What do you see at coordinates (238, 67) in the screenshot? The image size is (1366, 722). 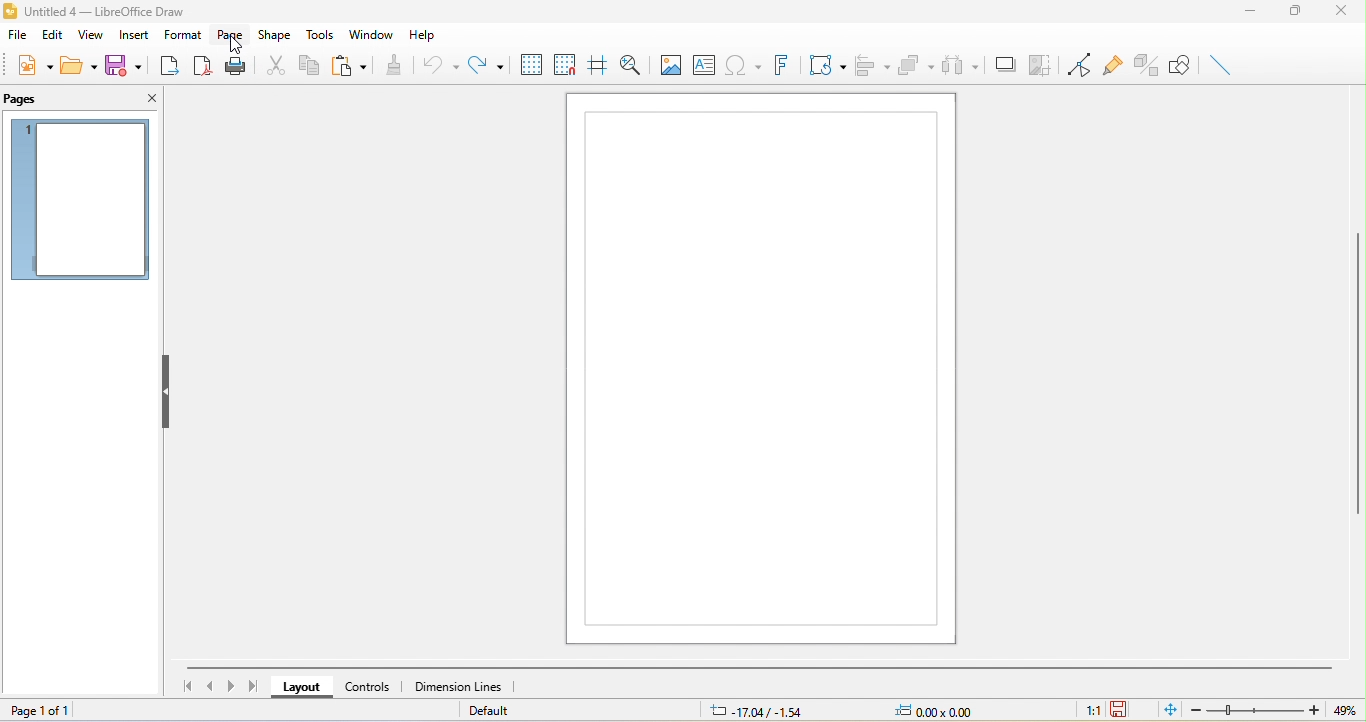 I see `print` at bounding box center [238, 67].